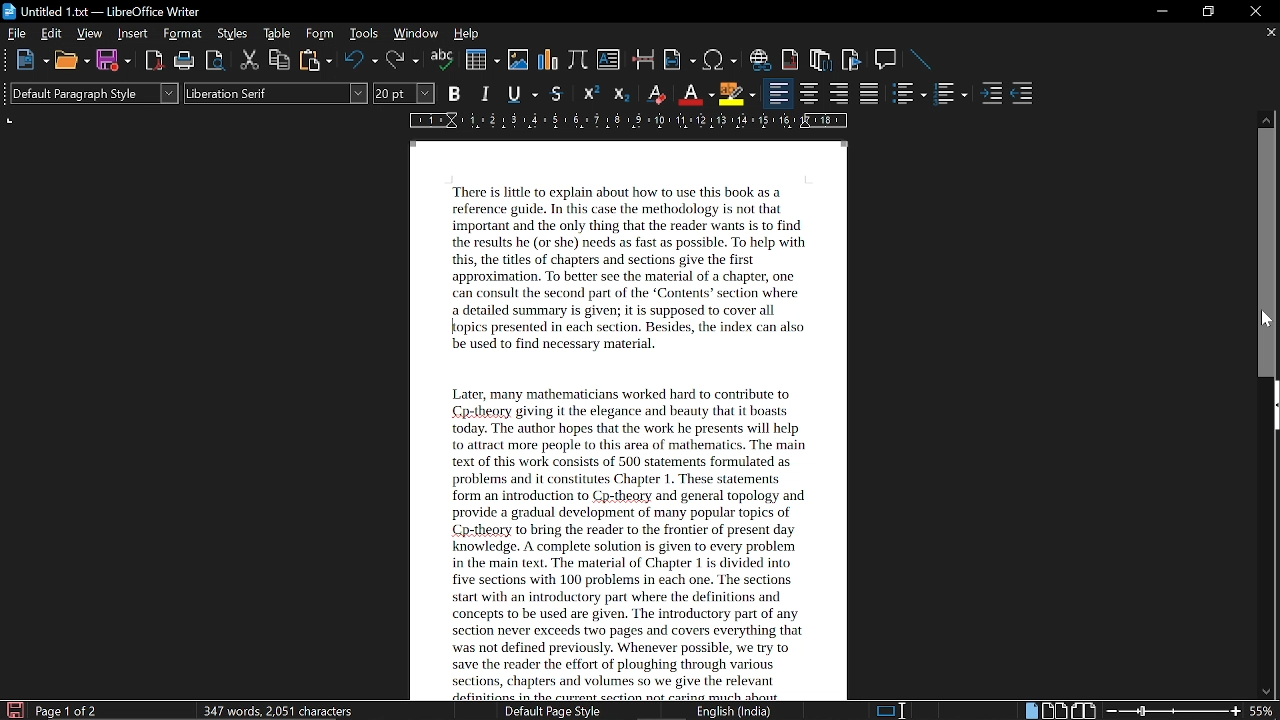  Describe the element at coordinates (13, 710) in the screenshot. I see `save` at that location.